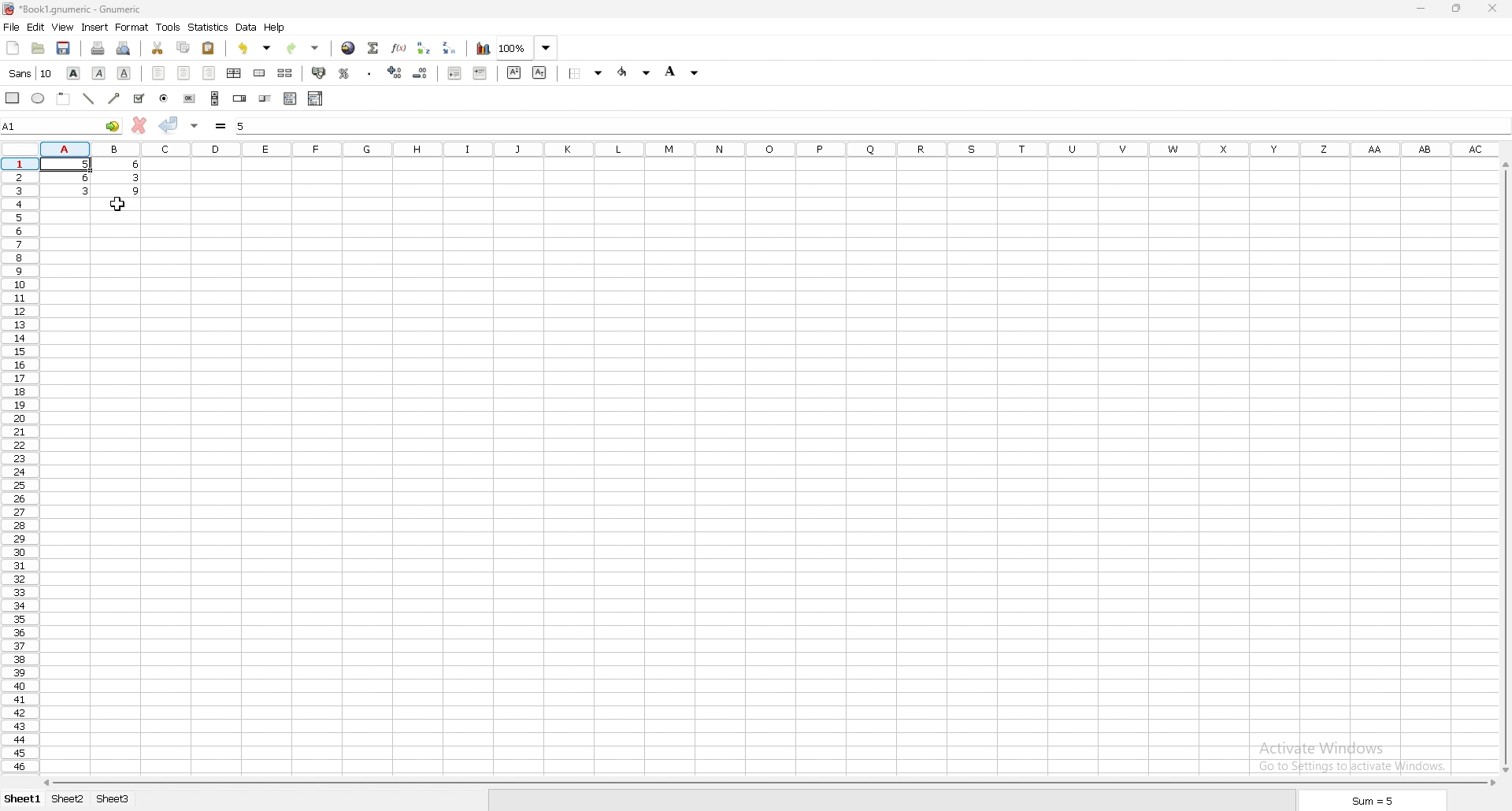 Image resolution: width=1512 pixels, height=811 pixels. What do you see at coordinates (239, 98) in the screenshot?
I see `spin button` at bounding box center [239, 98].